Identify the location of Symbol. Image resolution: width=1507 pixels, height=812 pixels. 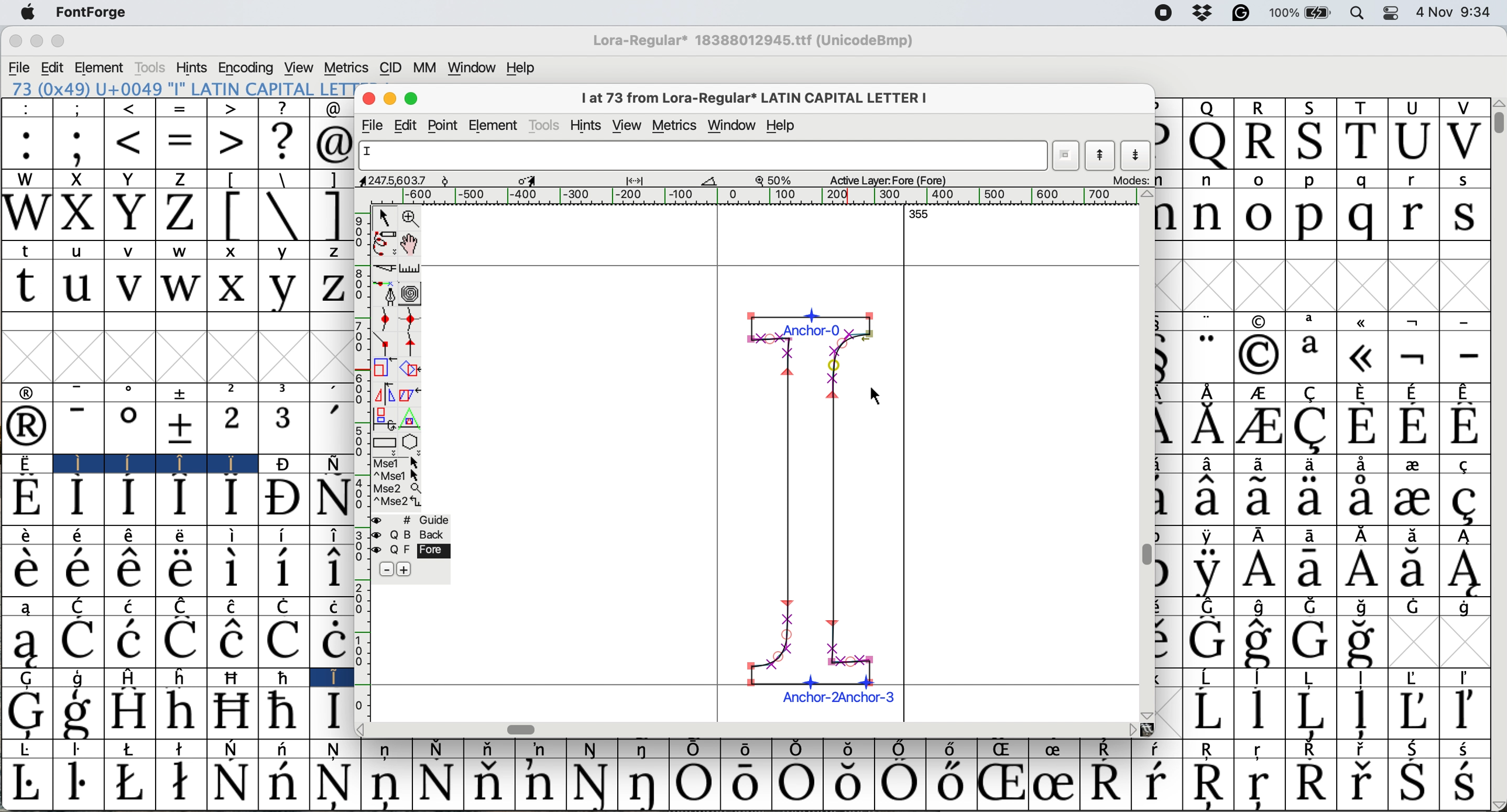
(1413, 500).